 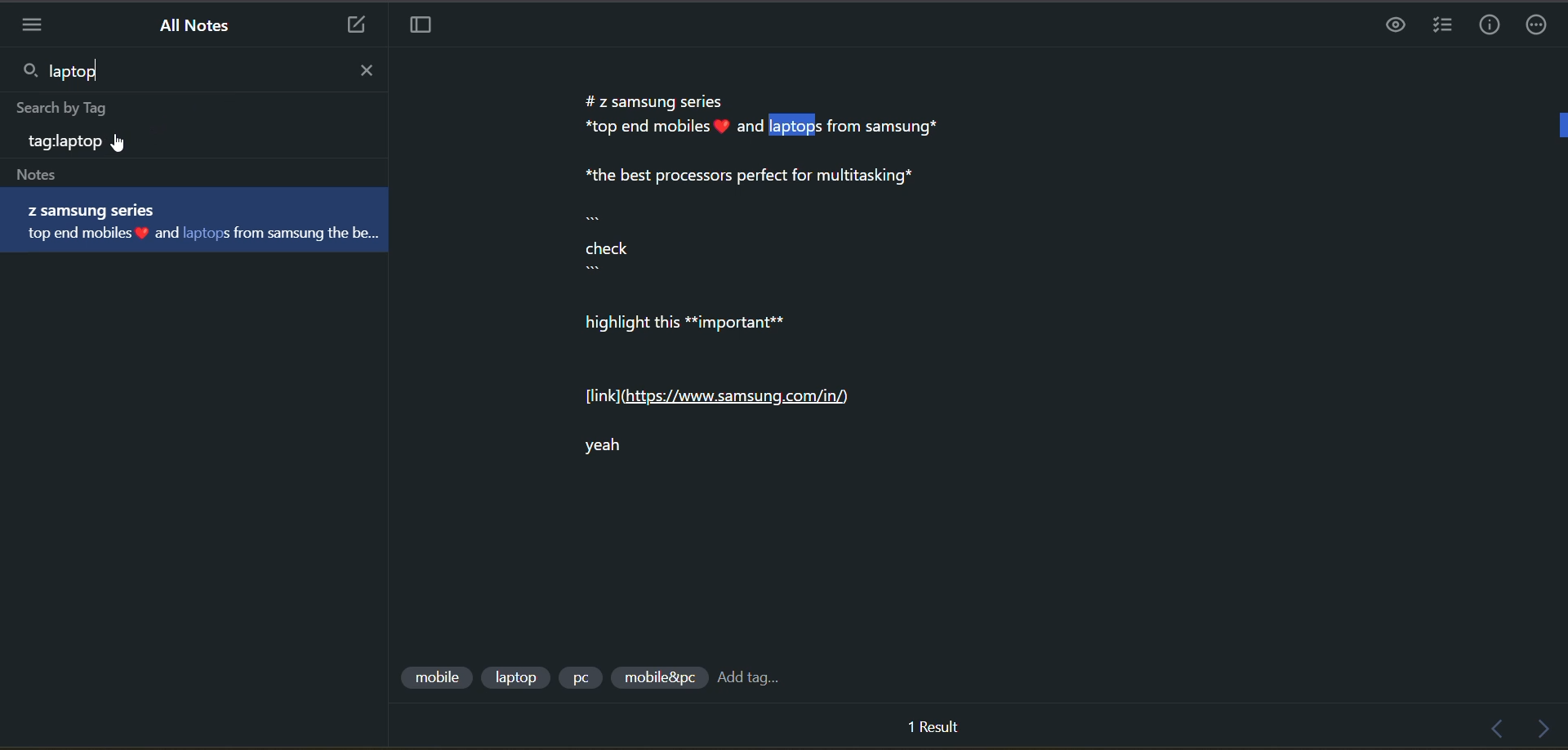 I want to click on tag details, so click(x=88, y=142).